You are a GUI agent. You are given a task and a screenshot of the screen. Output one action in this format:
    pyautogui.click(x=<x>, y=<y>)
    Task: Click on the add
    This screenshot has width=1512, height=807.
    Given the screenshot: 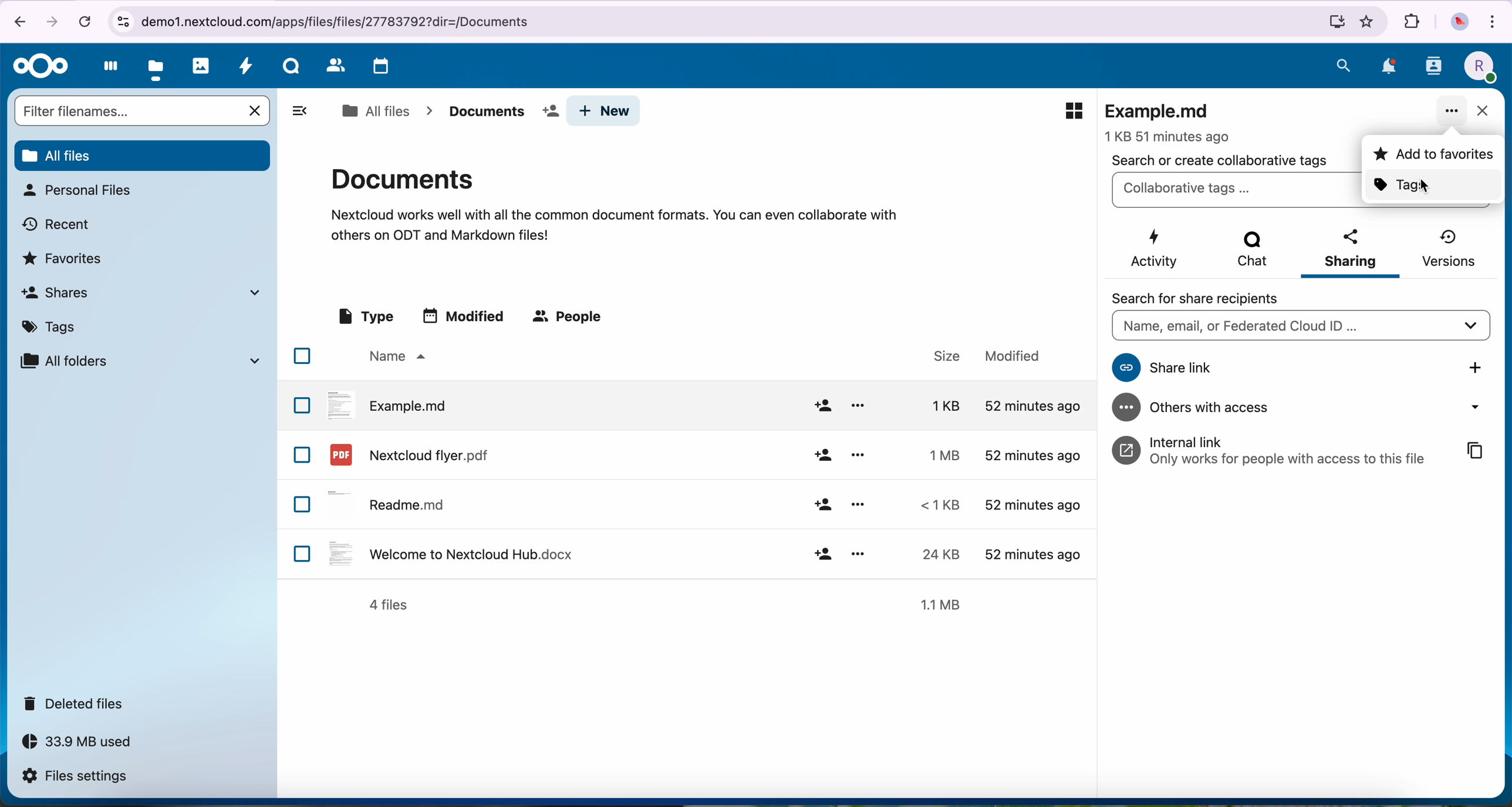 What is the action you would take?
    pyautogui.click(x=822, y=505)
    